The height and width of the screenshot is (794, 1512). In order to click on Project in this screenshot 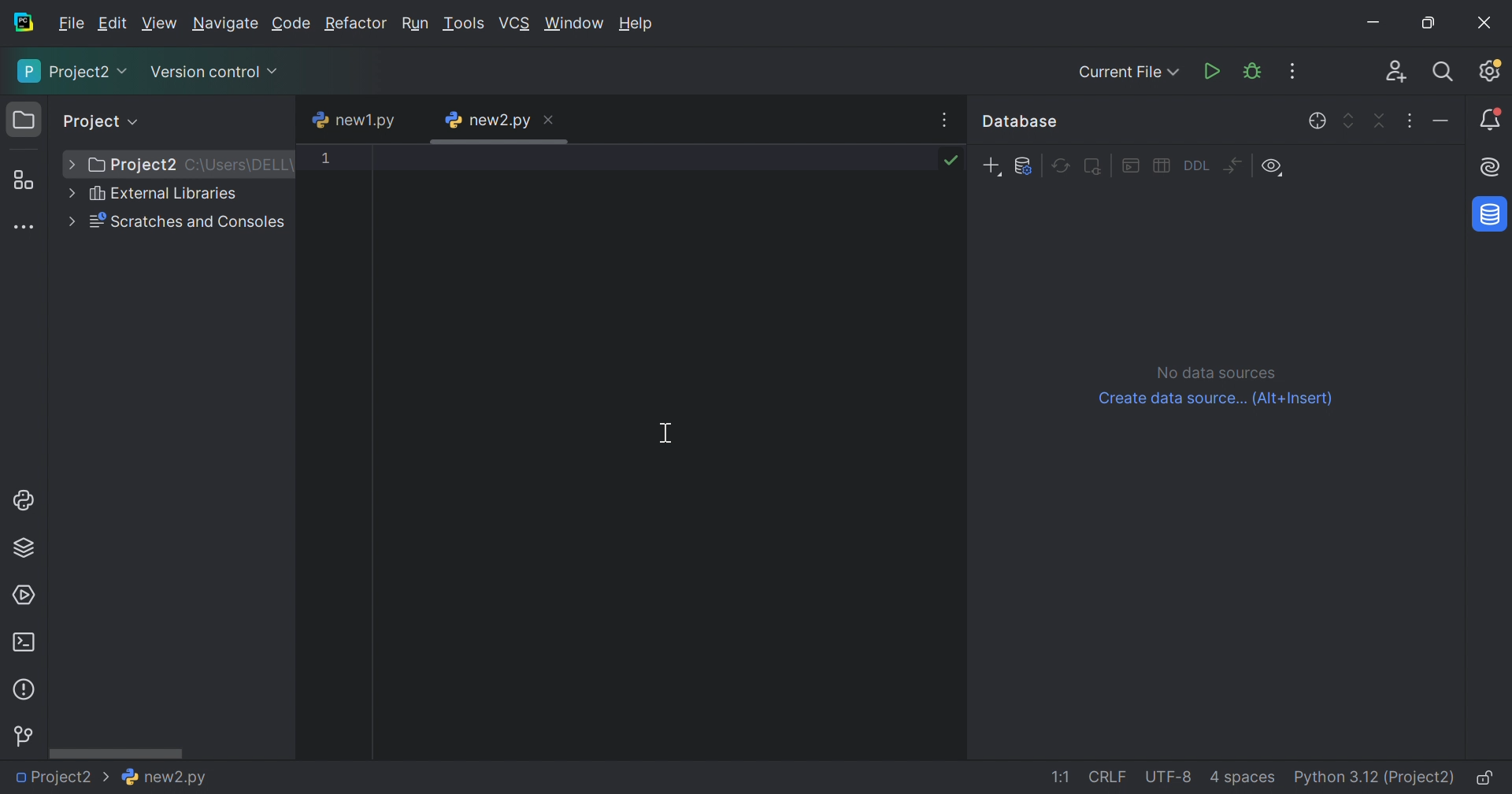, I will do `click(99, 121)`.